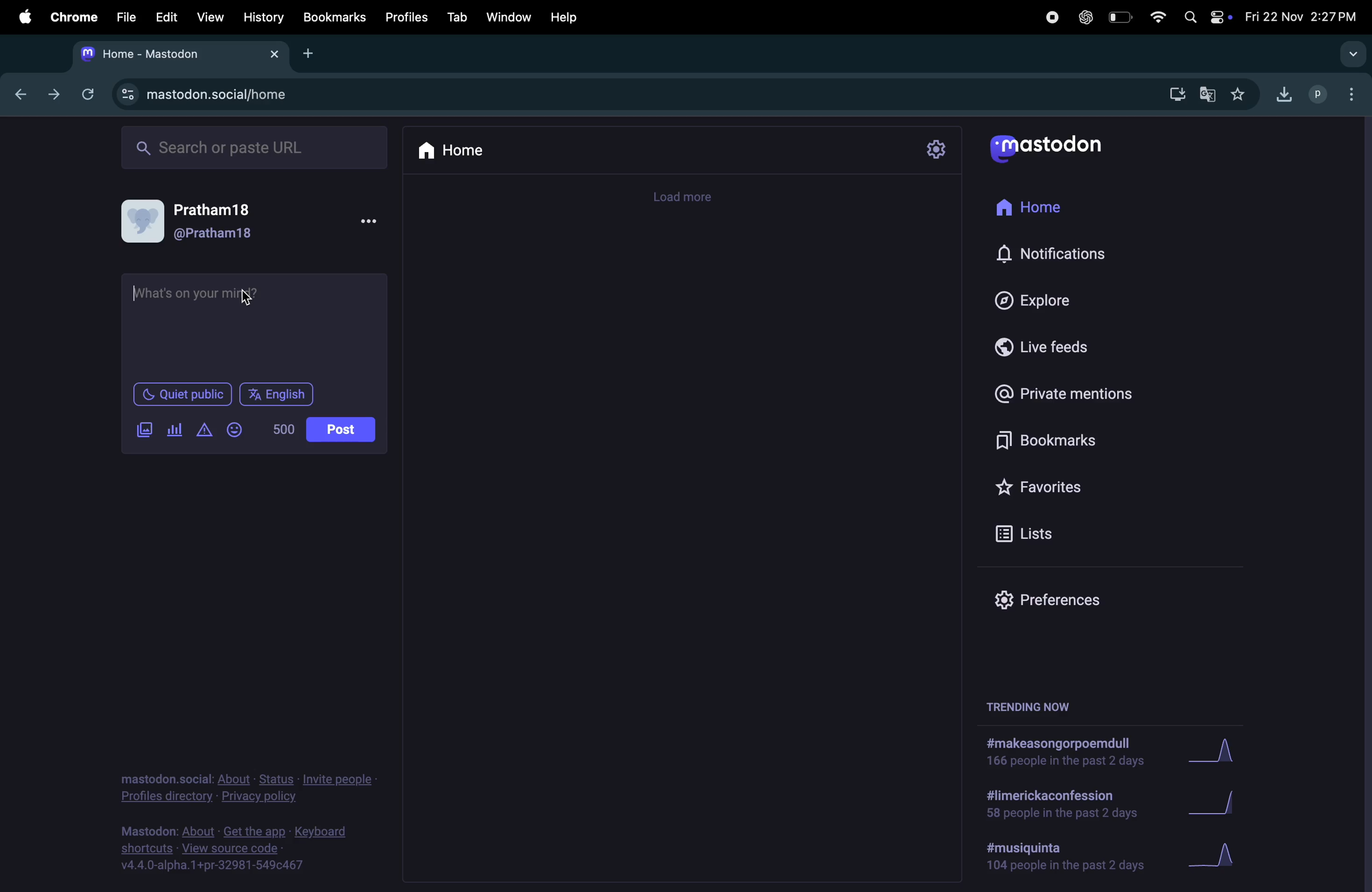 Image resolution: width=1372 pixels, height=892 pixels. What do you see at coordinates (1064, 254) in the screenshot?
I see `notification` at bounding box center [1064, 254].